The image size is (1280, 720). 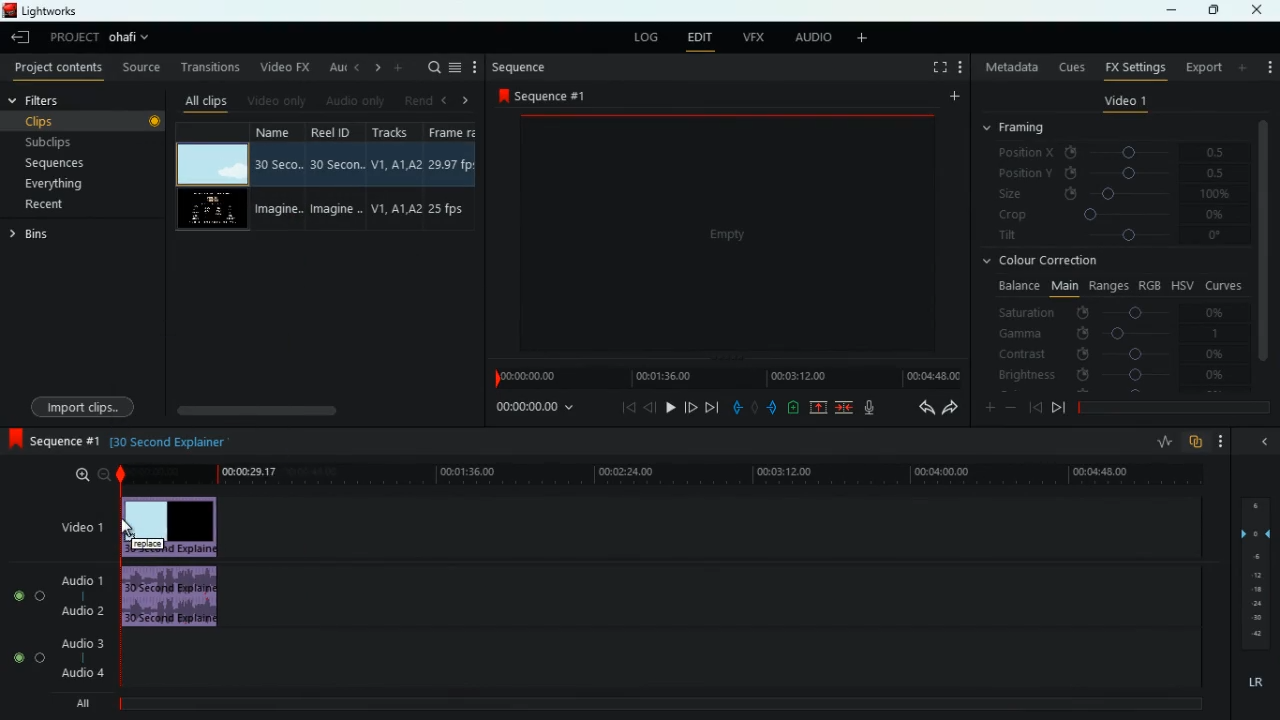 I want to click on V1, A1, A2, so click(x=396, y=210).